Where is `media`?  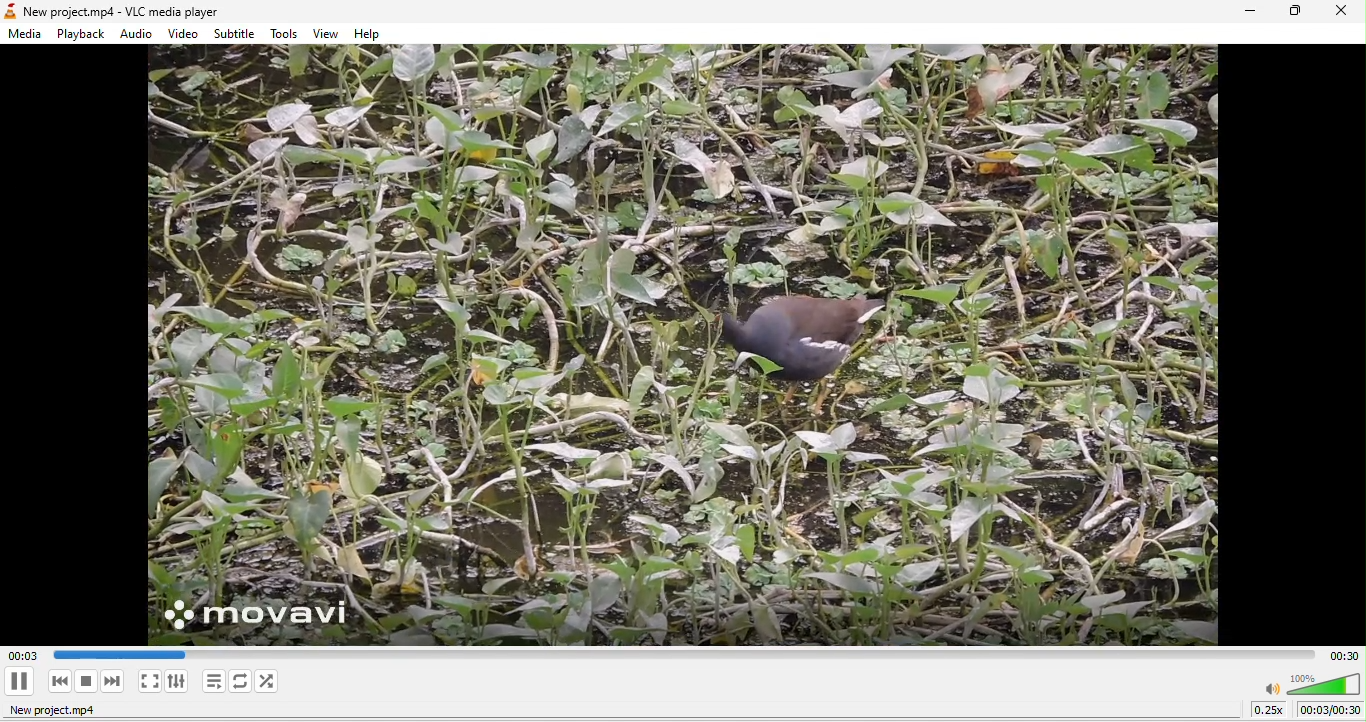 media is located at coordinates (24, 36).